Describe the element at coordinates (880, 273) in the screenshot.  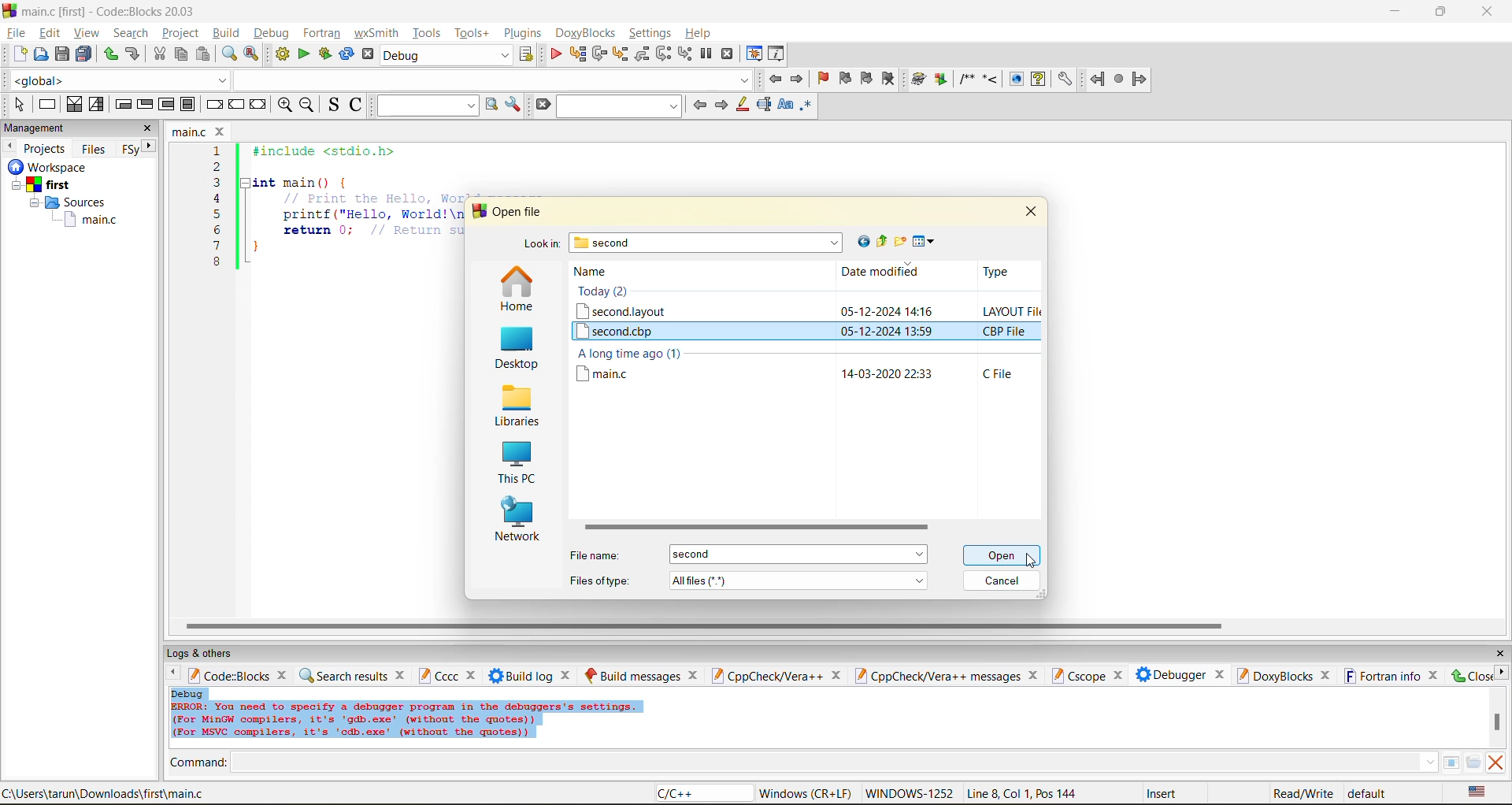
I see `date modified` at that location.